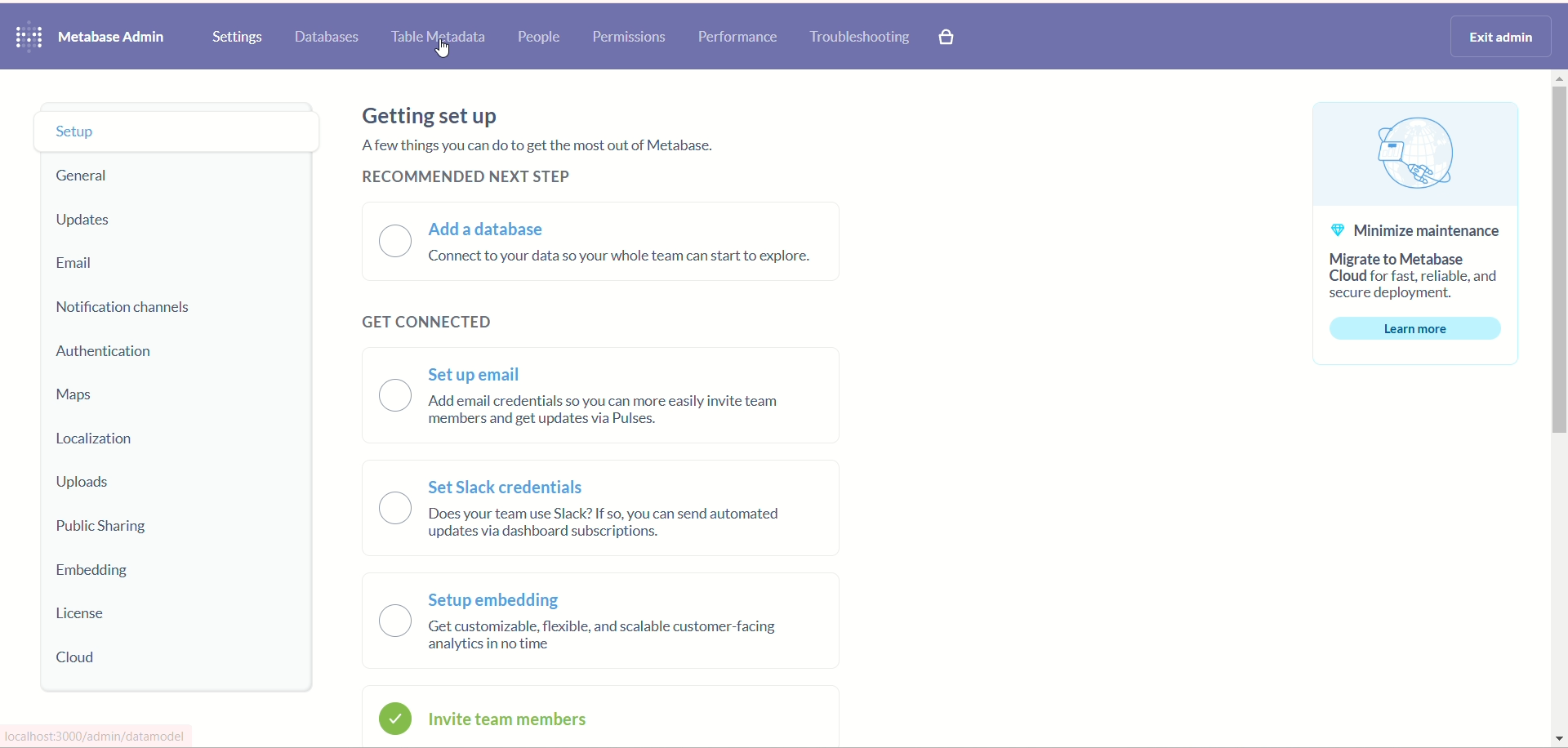  I want to click on table metadata, so click(439, 39).